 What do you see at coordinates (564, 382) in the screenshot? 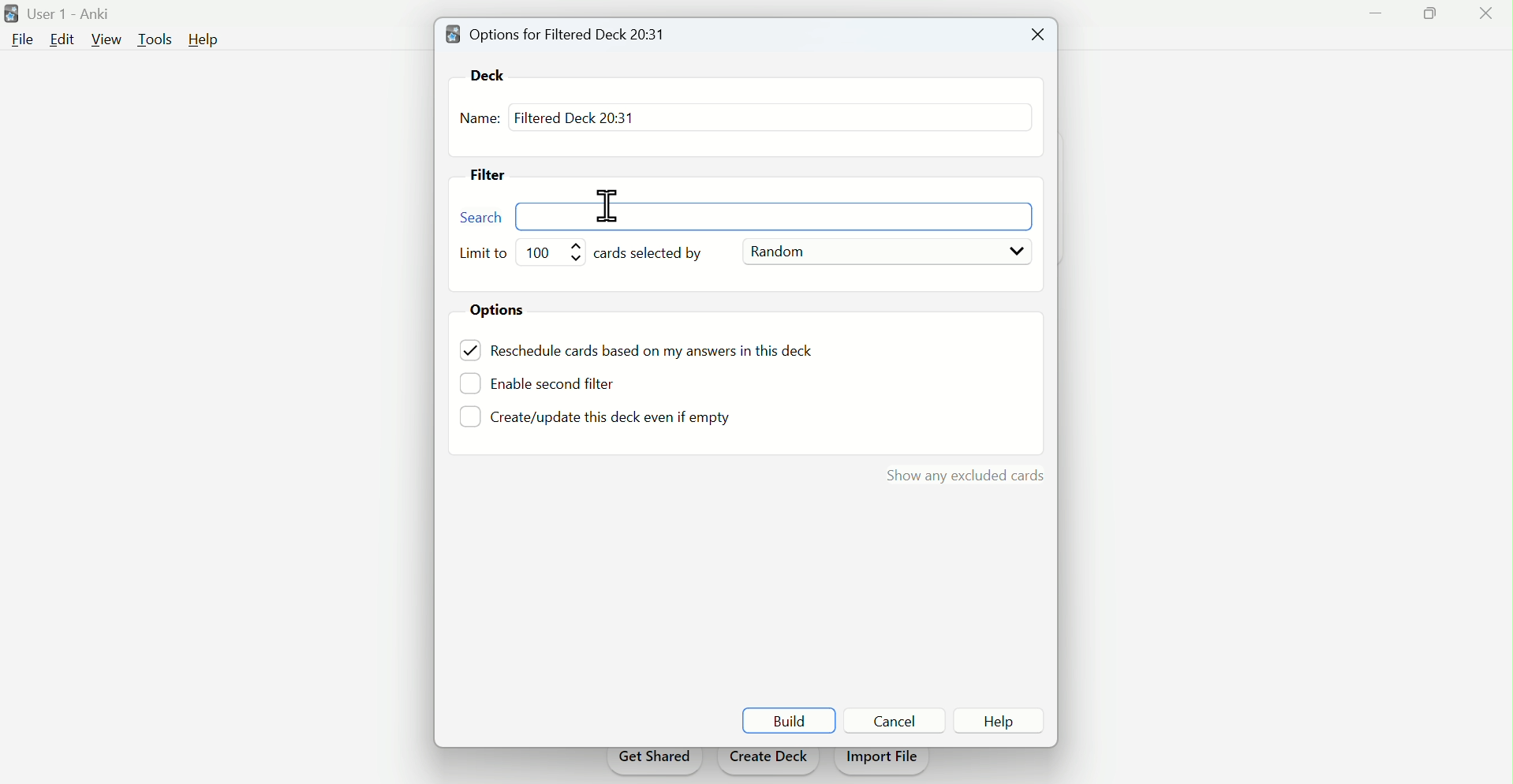
I see ` Enable second Filter` at bounding box center [564, 382].